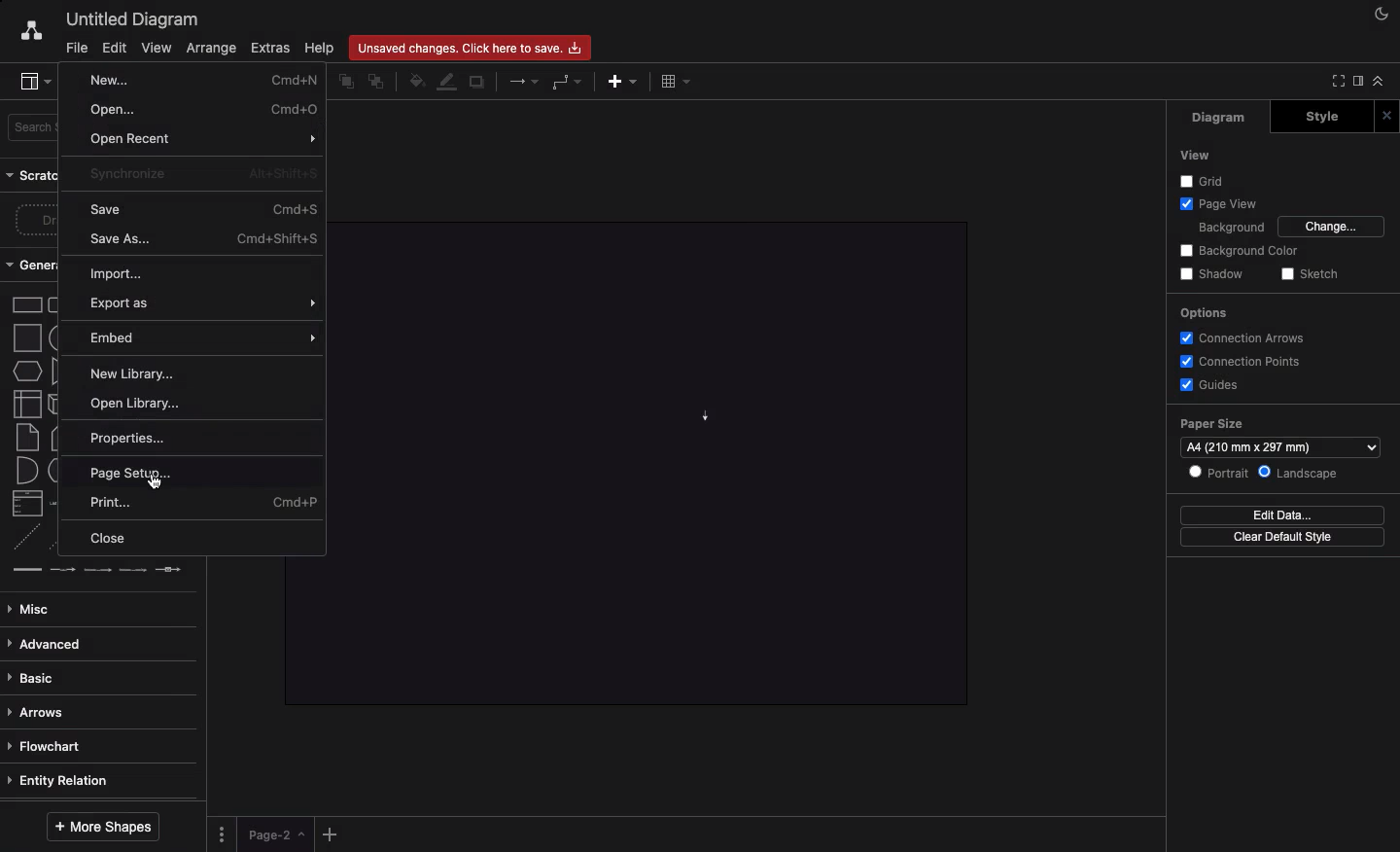  Describe the element at coordinates (140, 404) in the screenshot. I see `Open library` at that location.